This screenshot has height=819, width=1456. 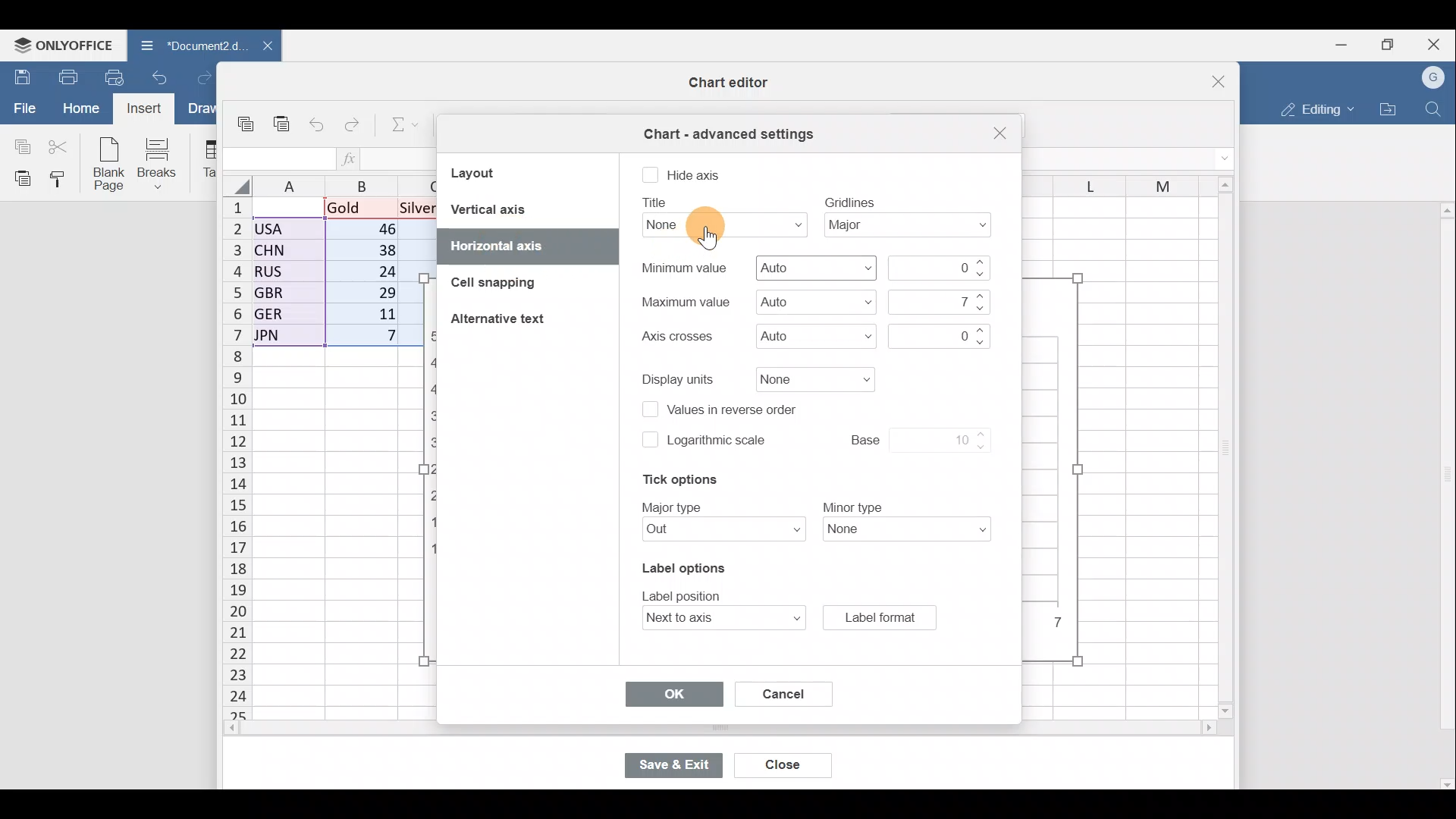 What do you see at coordinates (674, 695) in the screenshot?
I see `OK` at bounding box center [674, 695].